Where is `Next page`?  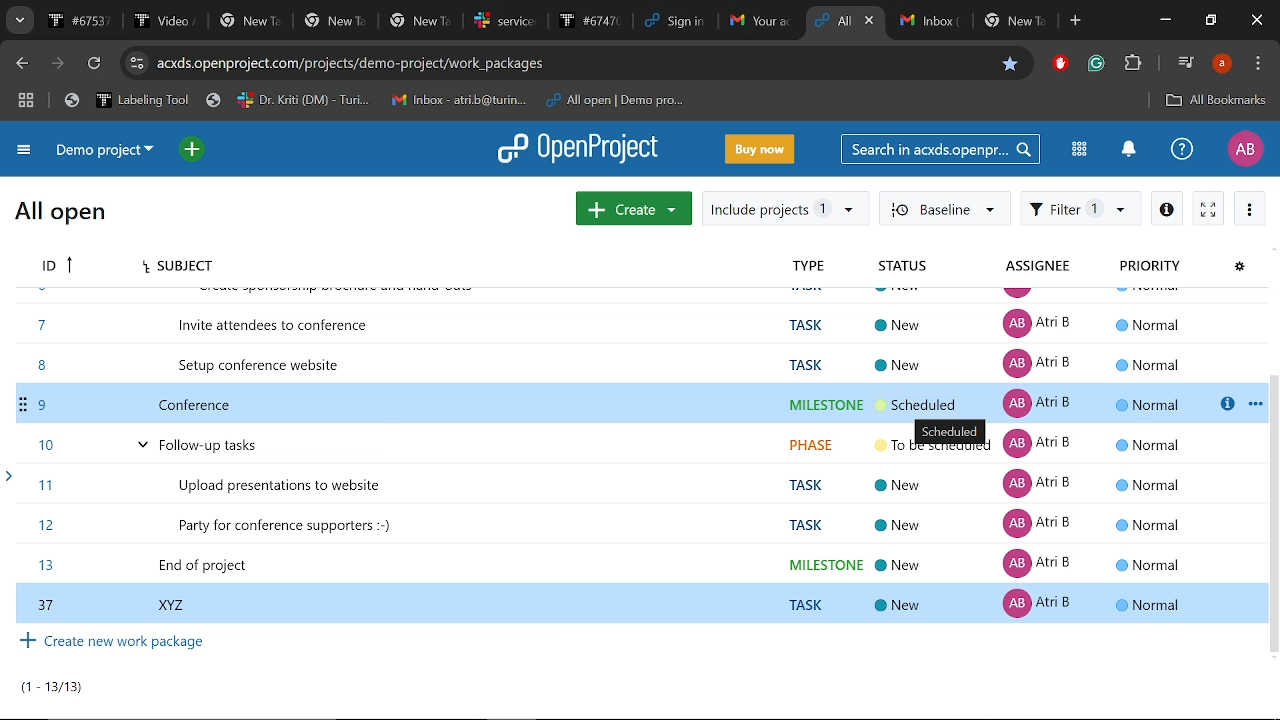
Next page is located at coordinates (61, 63).